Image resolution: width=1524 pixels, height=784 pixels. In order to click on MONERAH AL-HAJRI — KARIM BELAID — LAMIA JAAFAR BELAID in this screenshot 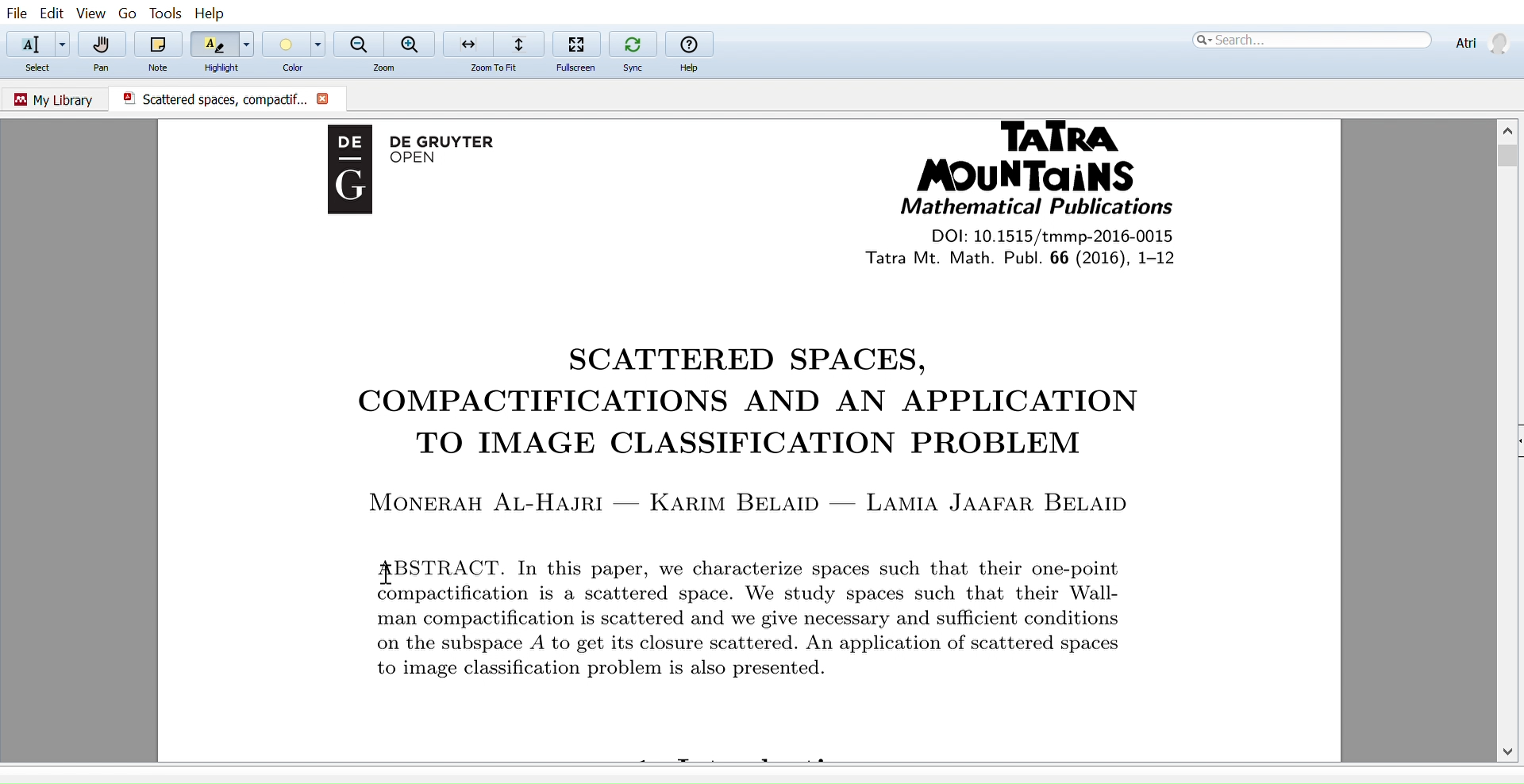, I will do `click(754, 501)`.